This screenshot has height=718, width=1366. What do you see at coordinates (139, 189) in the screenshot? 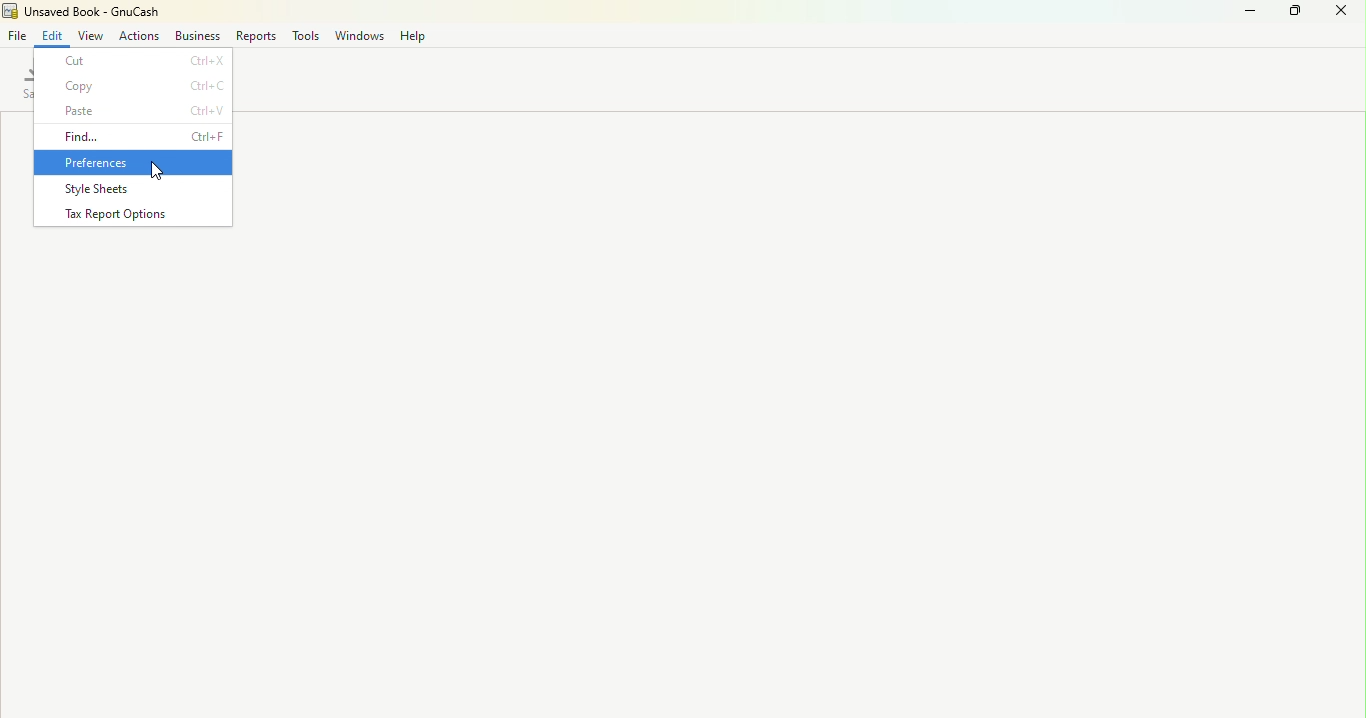
I see `Style sheets` at bounding box center [139, 189].